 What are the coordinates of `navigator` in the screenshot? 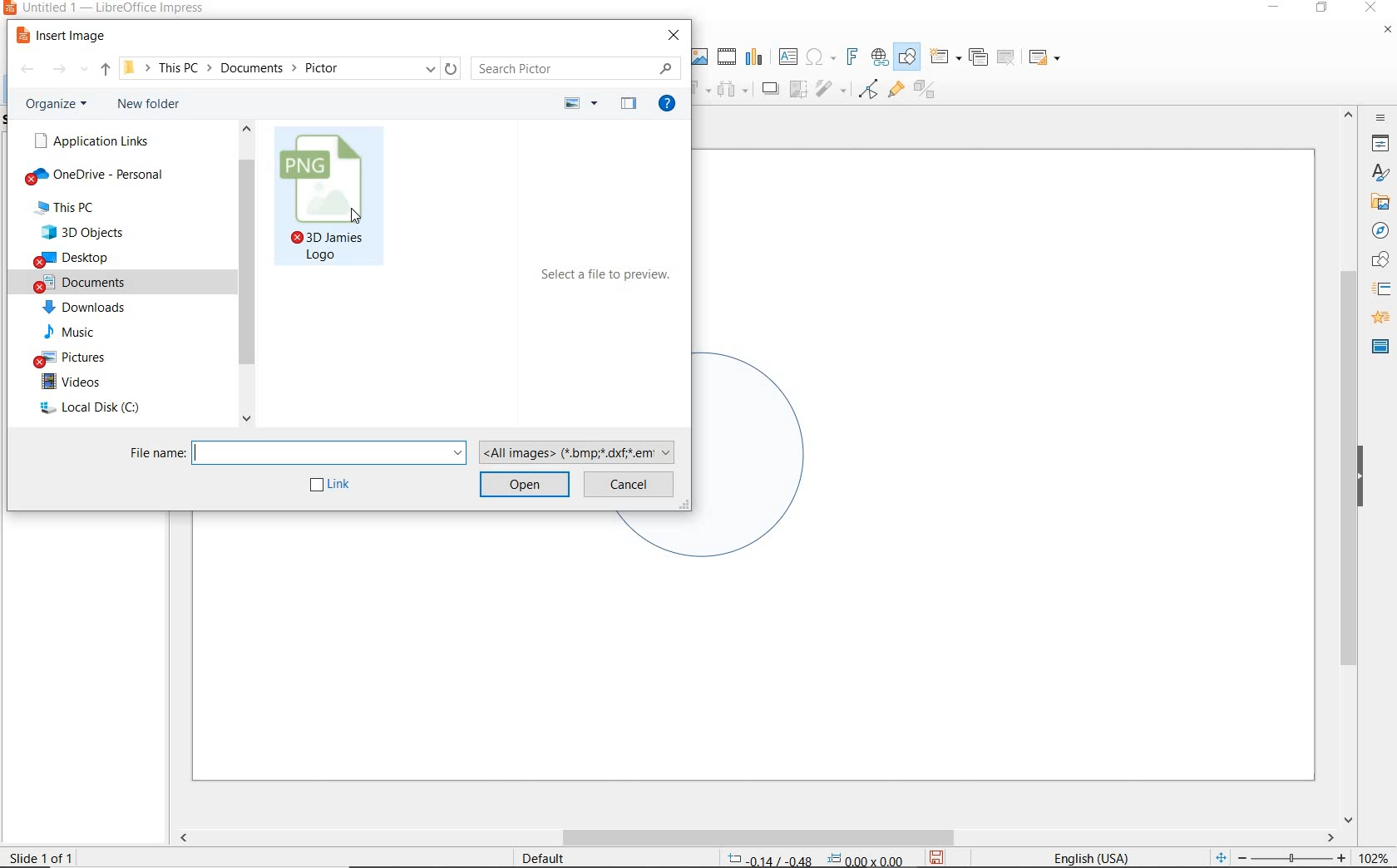 It's located at (1380, 231).